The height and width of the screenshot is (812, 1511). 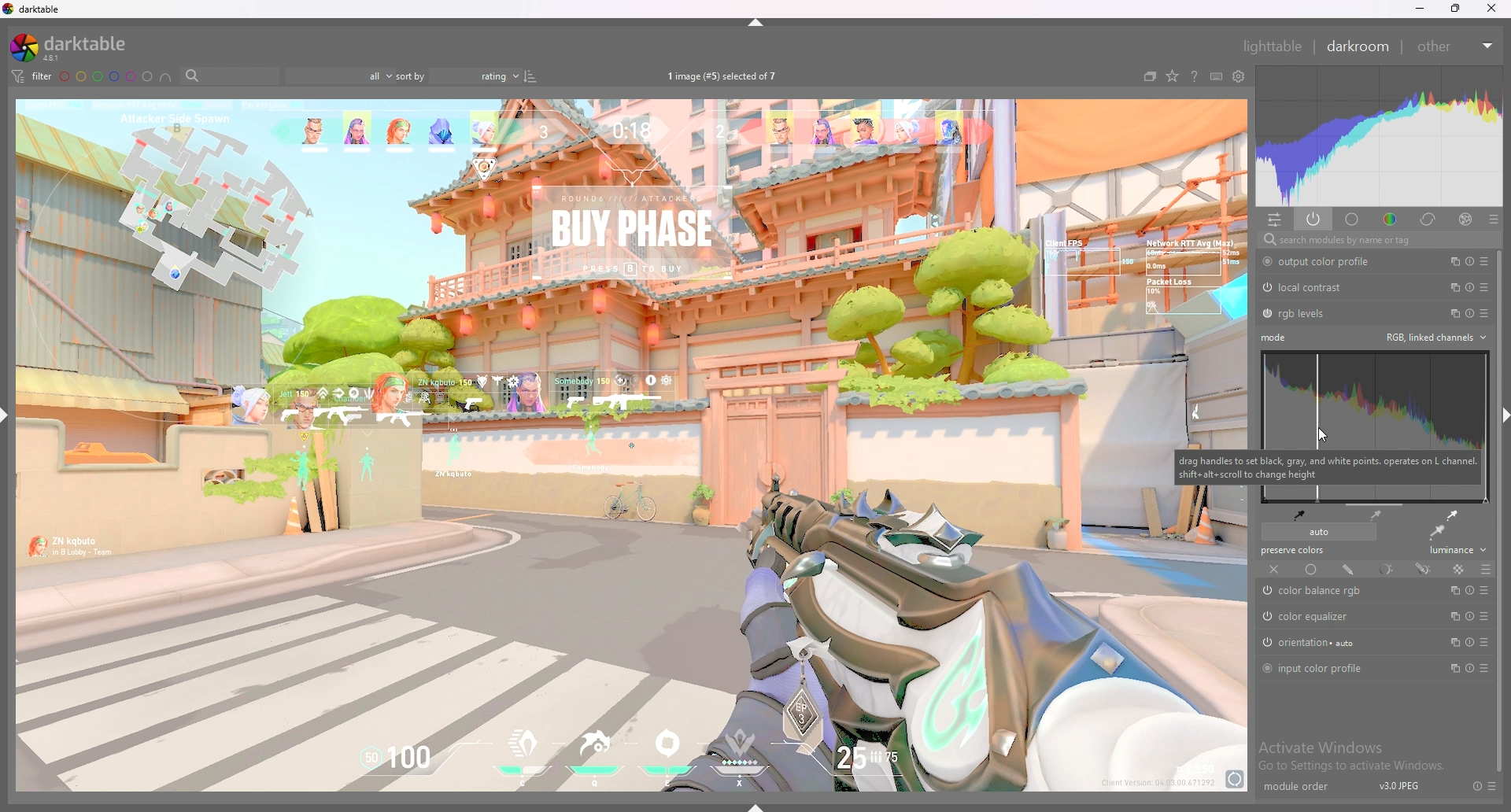 What do you see at coordinates (9, 414) in the screenshot?
I see `hide` at bounding box center [9, 414].